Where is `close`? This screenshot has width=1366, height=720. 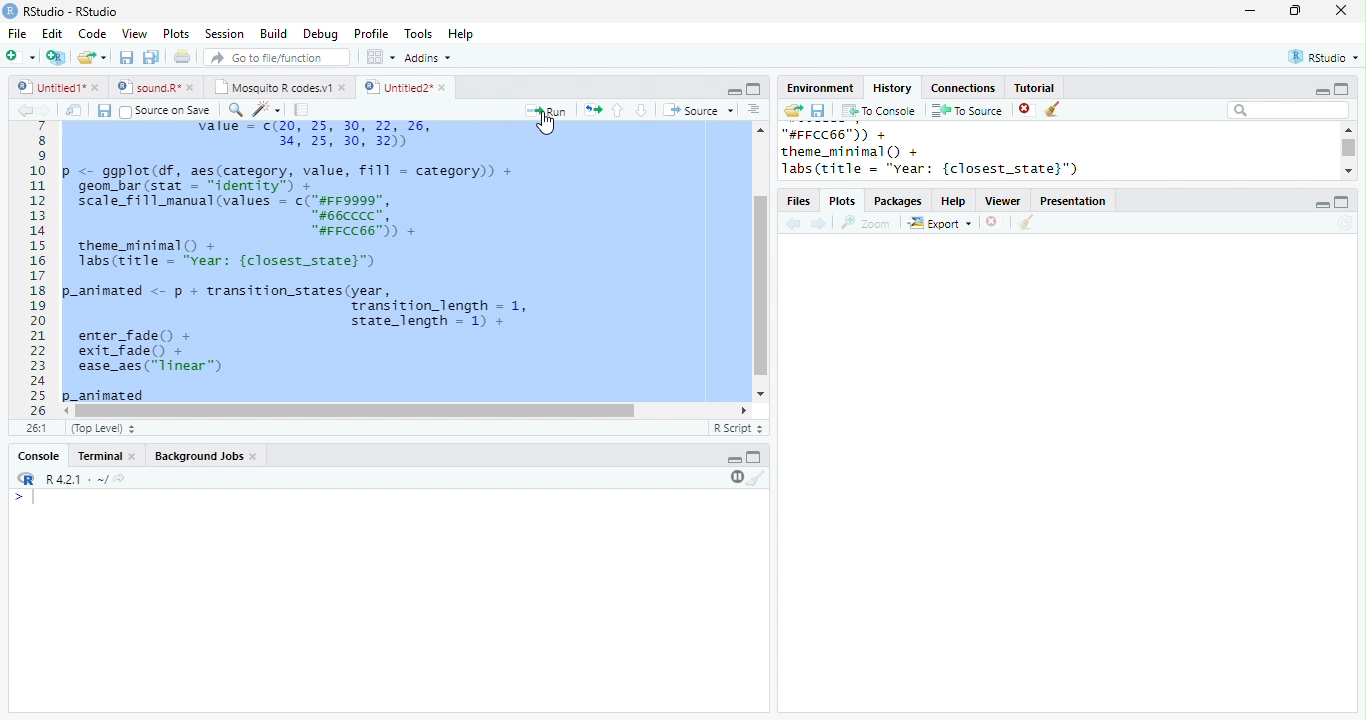 close is located at coordinates (134, 457).